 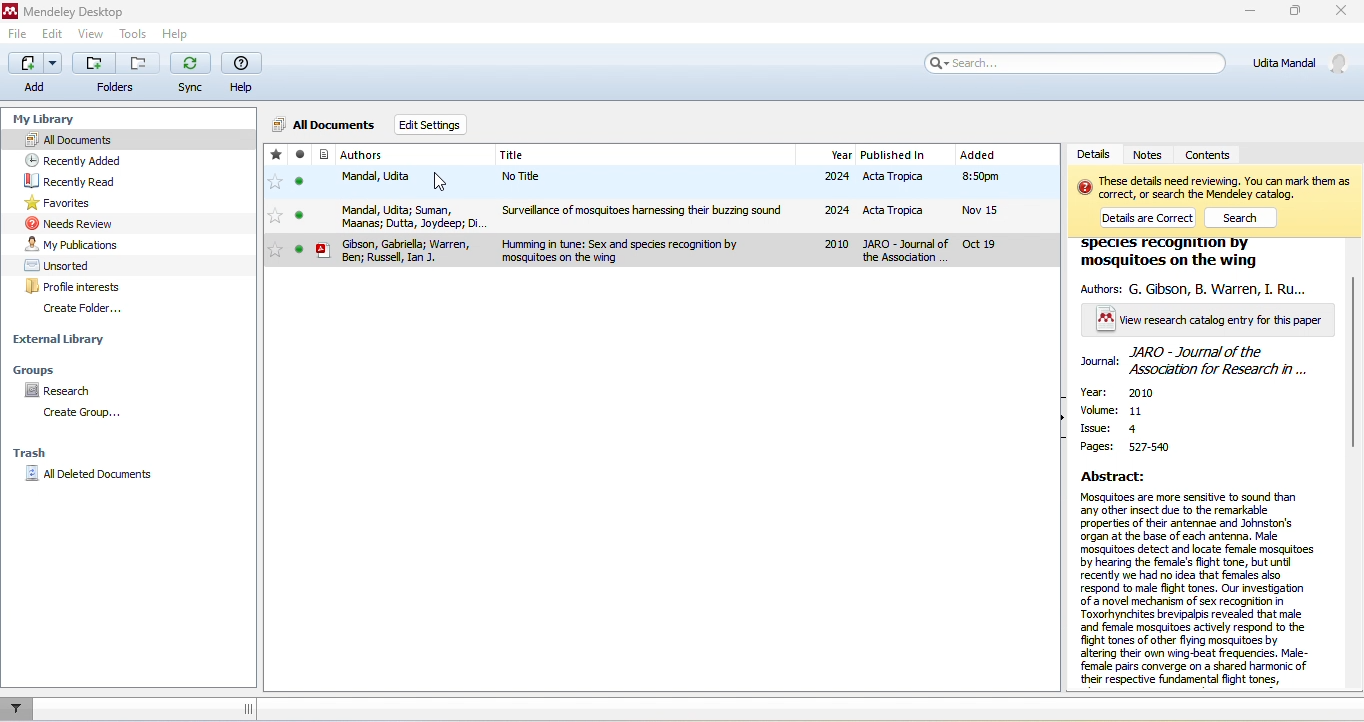 What do you see at coordinates (1125, 447) in the screenshot?
I see `pages: 527-540` at bounding box center [1125, 447].